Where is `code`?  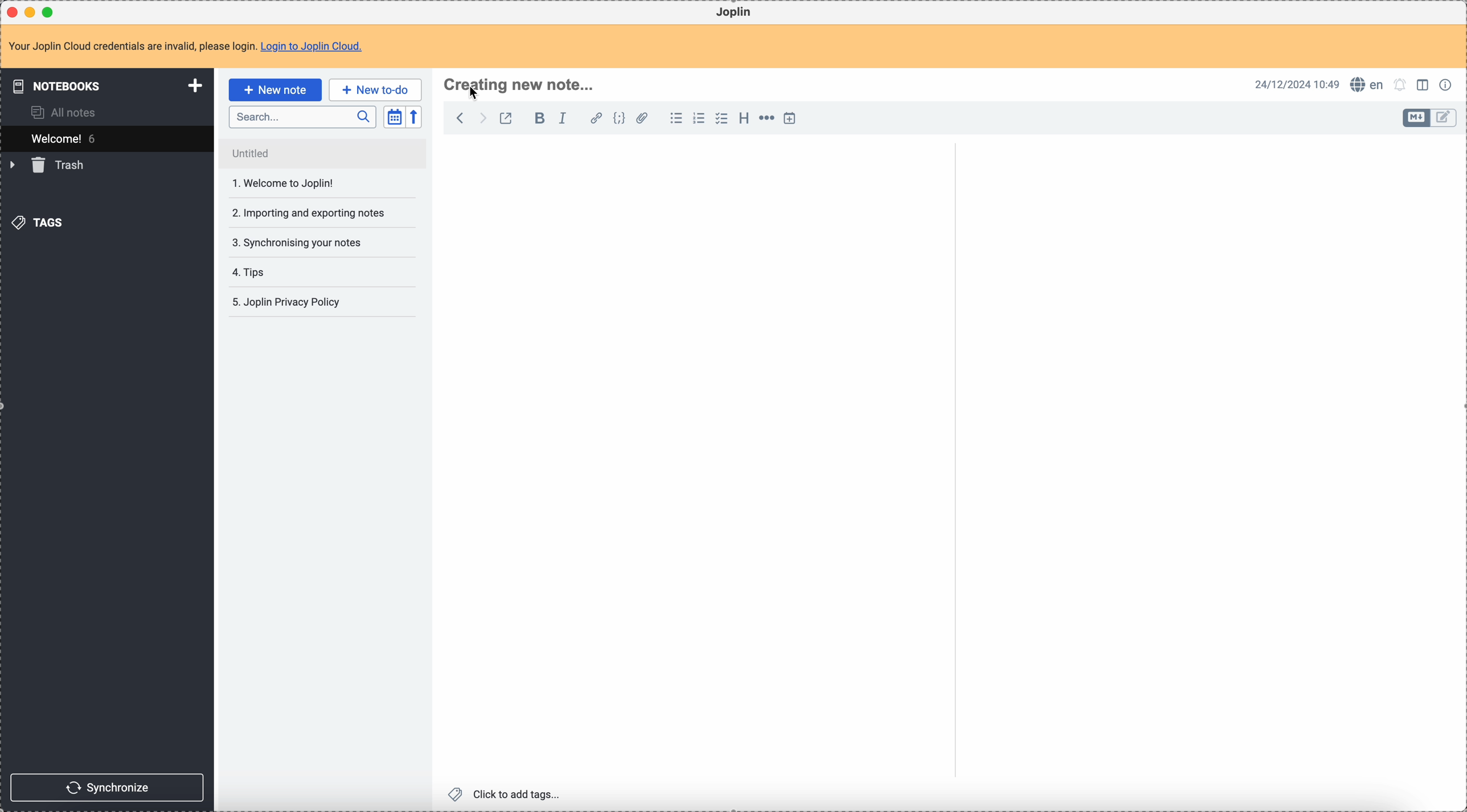 code is located at coordinates (621, 119).